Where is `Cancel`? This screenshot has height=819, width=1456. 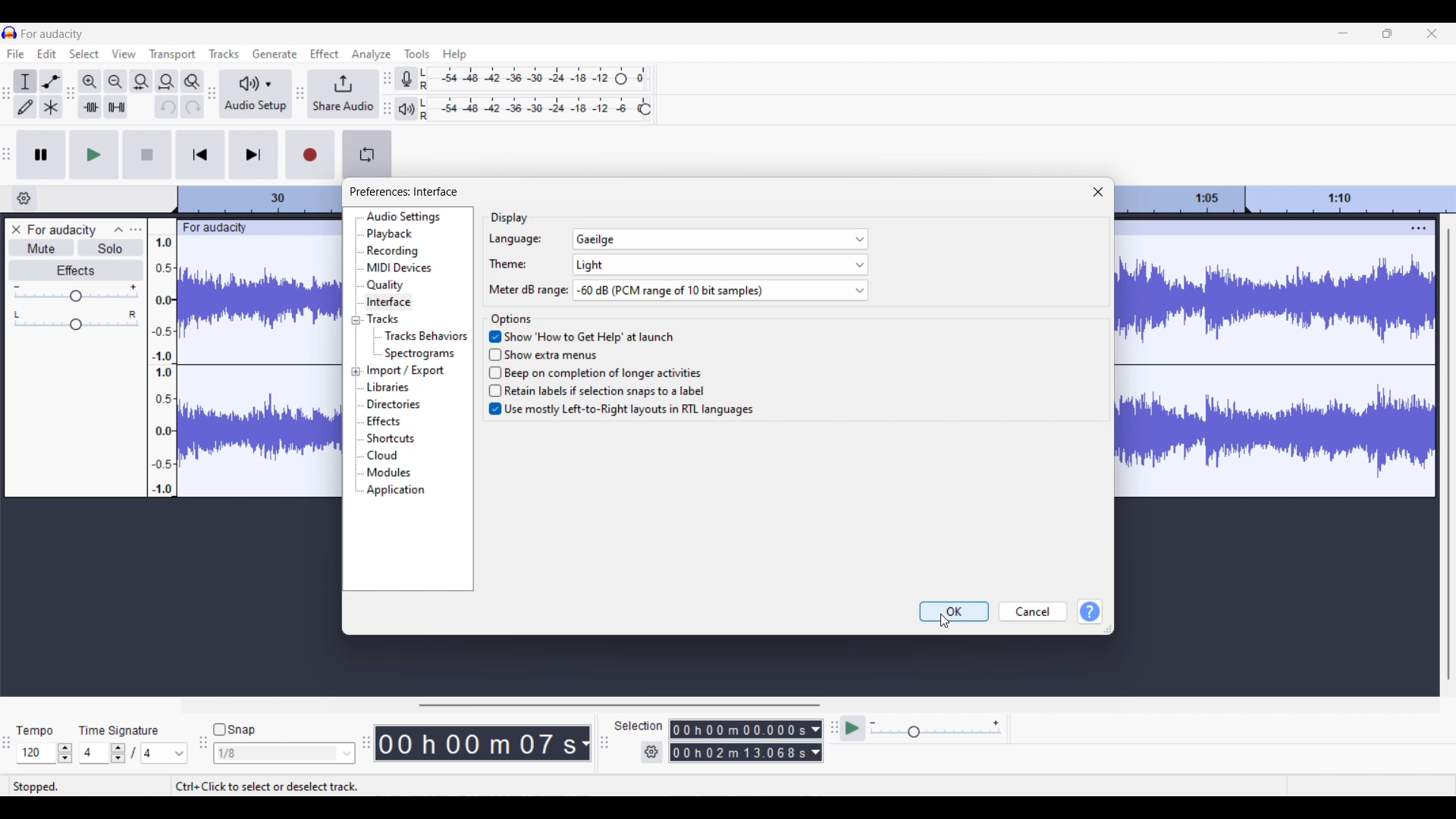 Cancel is located at coordinates (1034, 612).